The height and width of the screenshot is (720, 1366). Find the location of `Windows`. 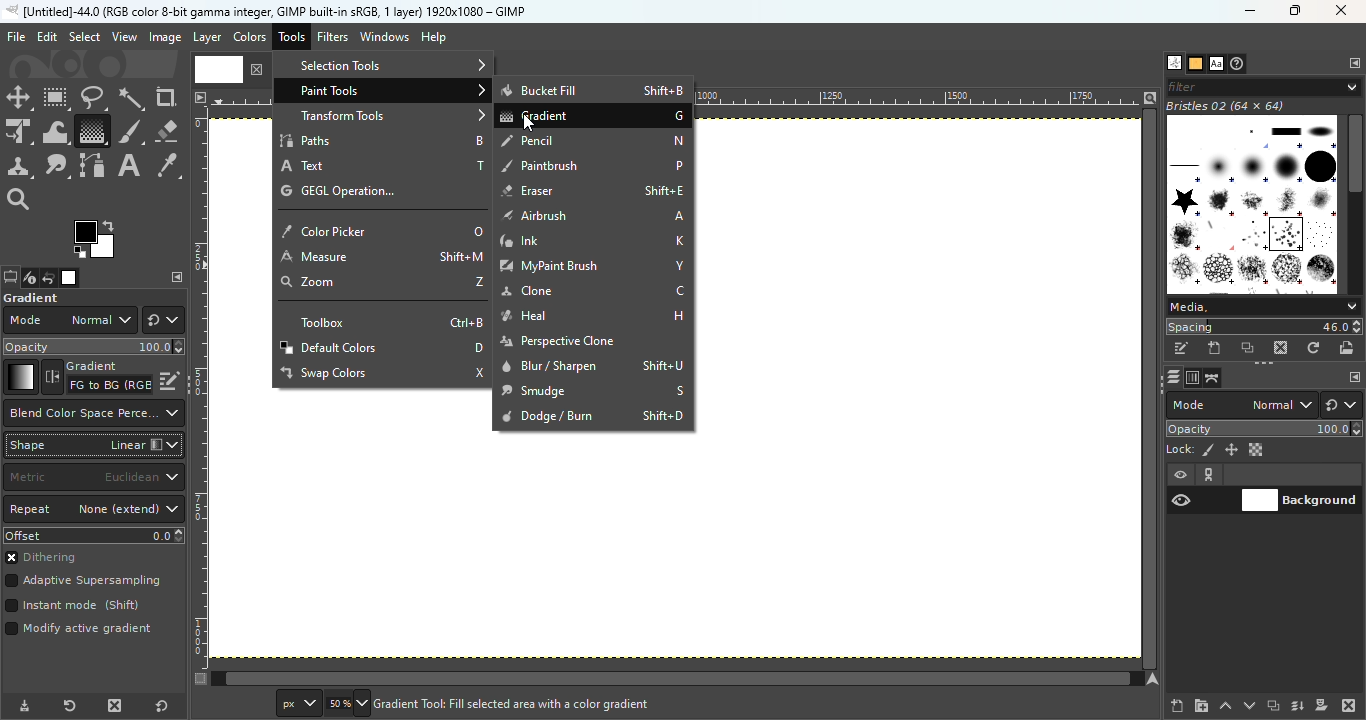

Windows is located at coordinates (384, 37).